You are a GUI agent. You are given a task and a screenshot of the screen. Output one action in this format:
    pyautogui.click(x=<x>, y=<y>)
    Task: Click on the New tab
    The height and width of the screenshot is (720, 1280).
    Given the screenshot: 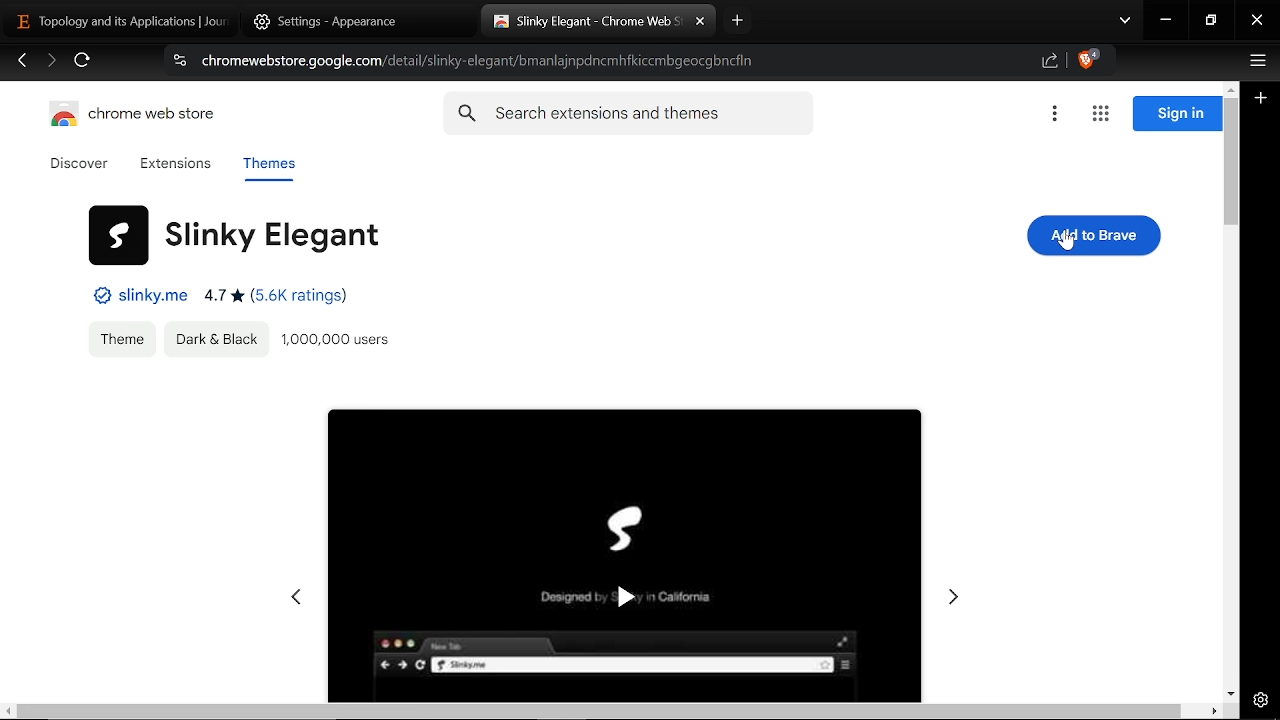 What is the action you would take?
    pyautogui.click(x=738, y=20)
    